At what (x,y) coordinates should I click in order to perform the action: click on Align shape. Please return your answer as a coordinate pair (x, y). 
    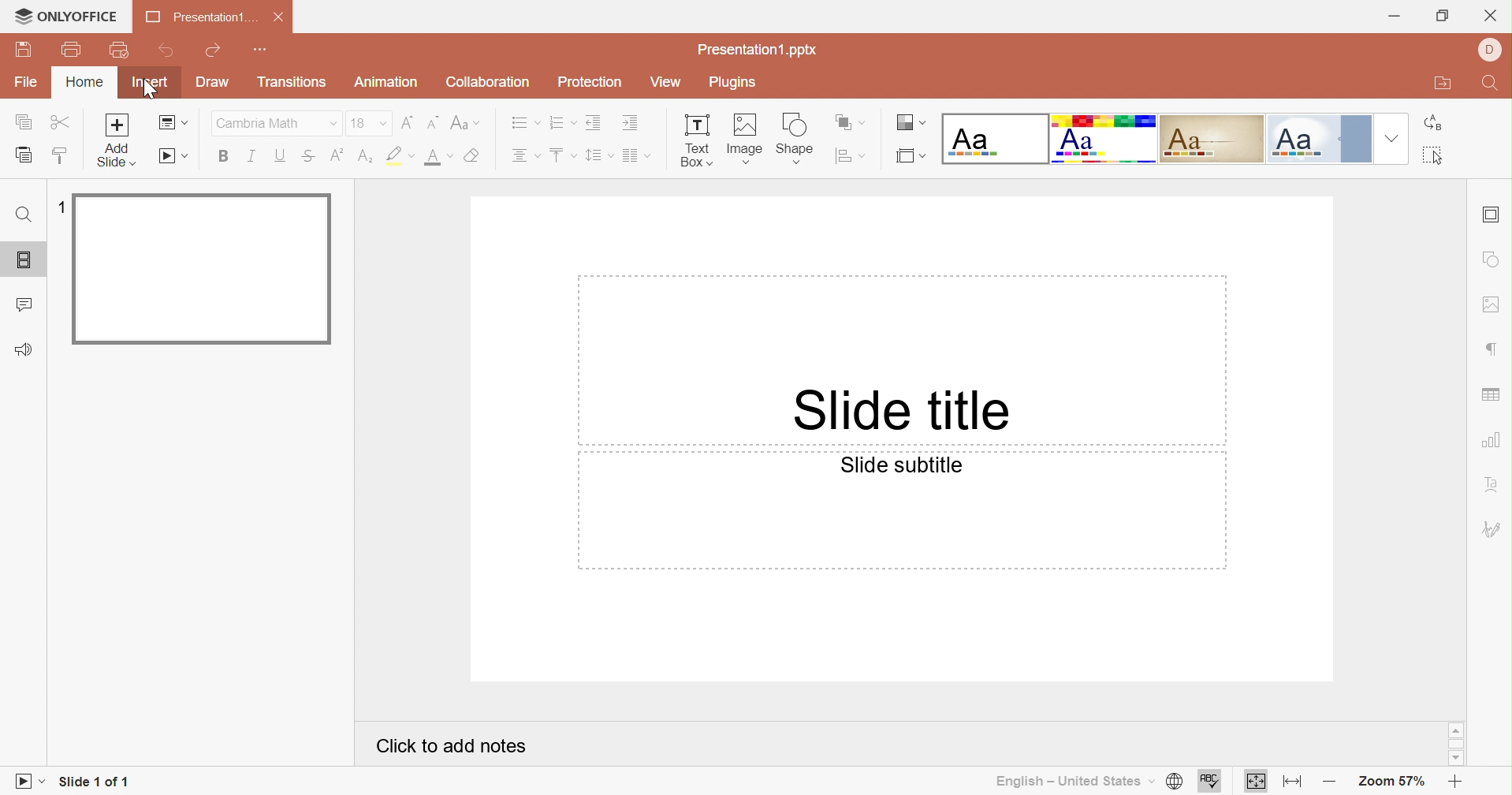
    Looking at the image, I should click on (851, 155).